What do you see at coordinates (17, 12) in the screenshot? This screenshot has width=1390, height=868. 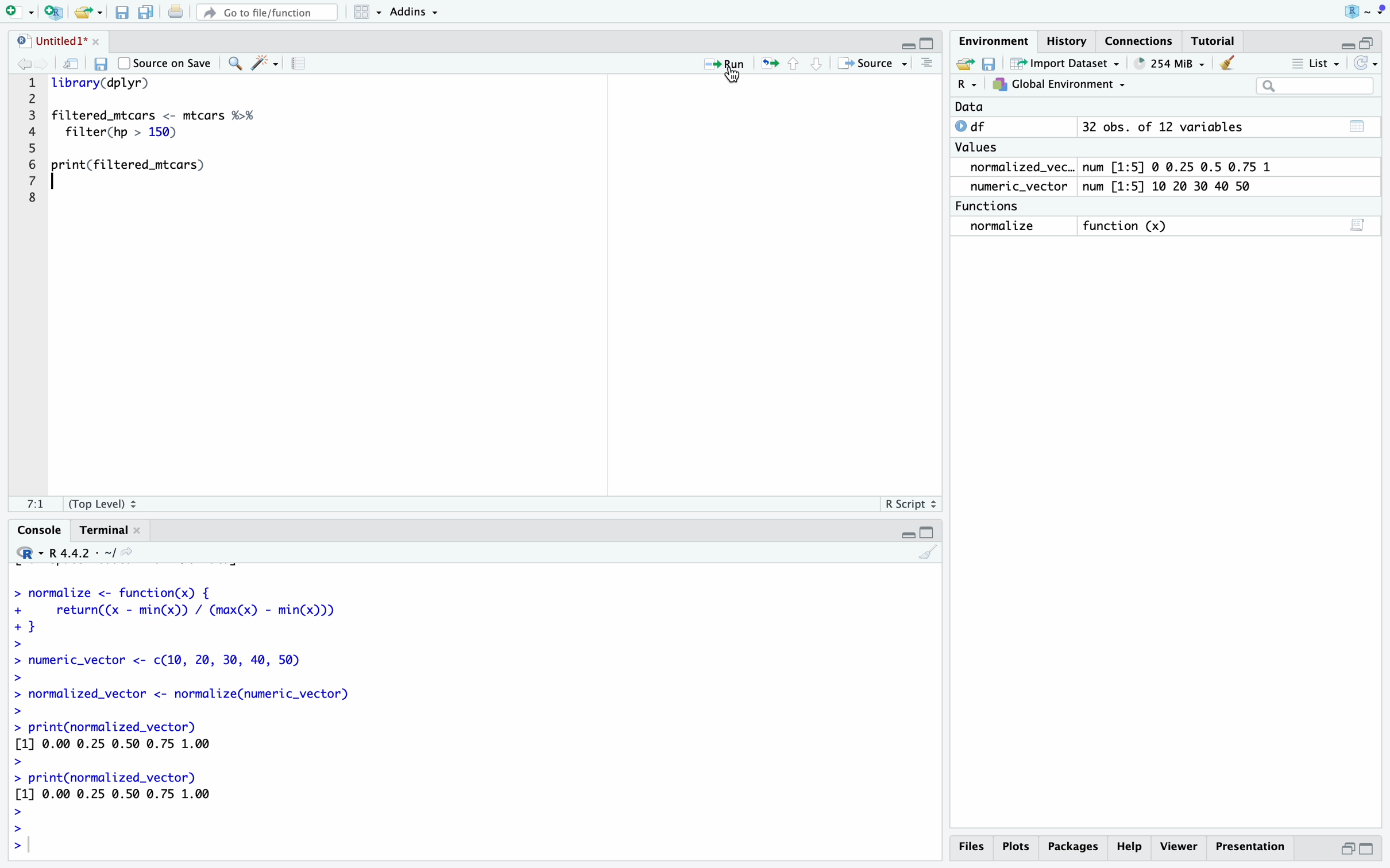 I see `new file` at bounding box center [17, 12].